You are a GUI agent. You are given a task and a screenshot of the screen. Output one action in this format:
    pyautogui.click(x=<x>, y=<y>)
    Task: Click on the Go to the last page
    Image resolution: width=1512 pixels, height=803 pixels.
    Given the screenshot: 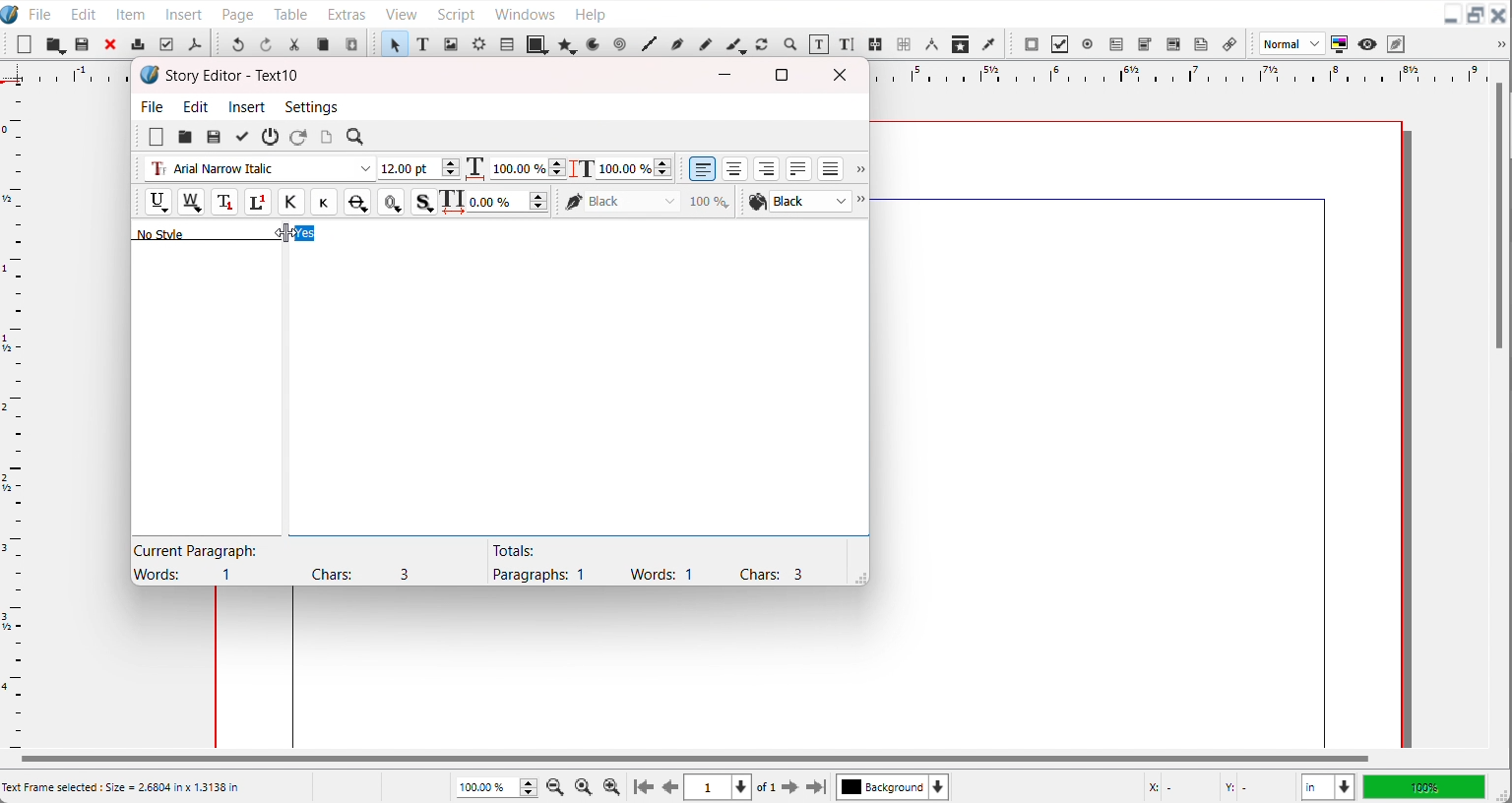 What is the action you would take?
    pyautogui.click(x=816, y=787)
    